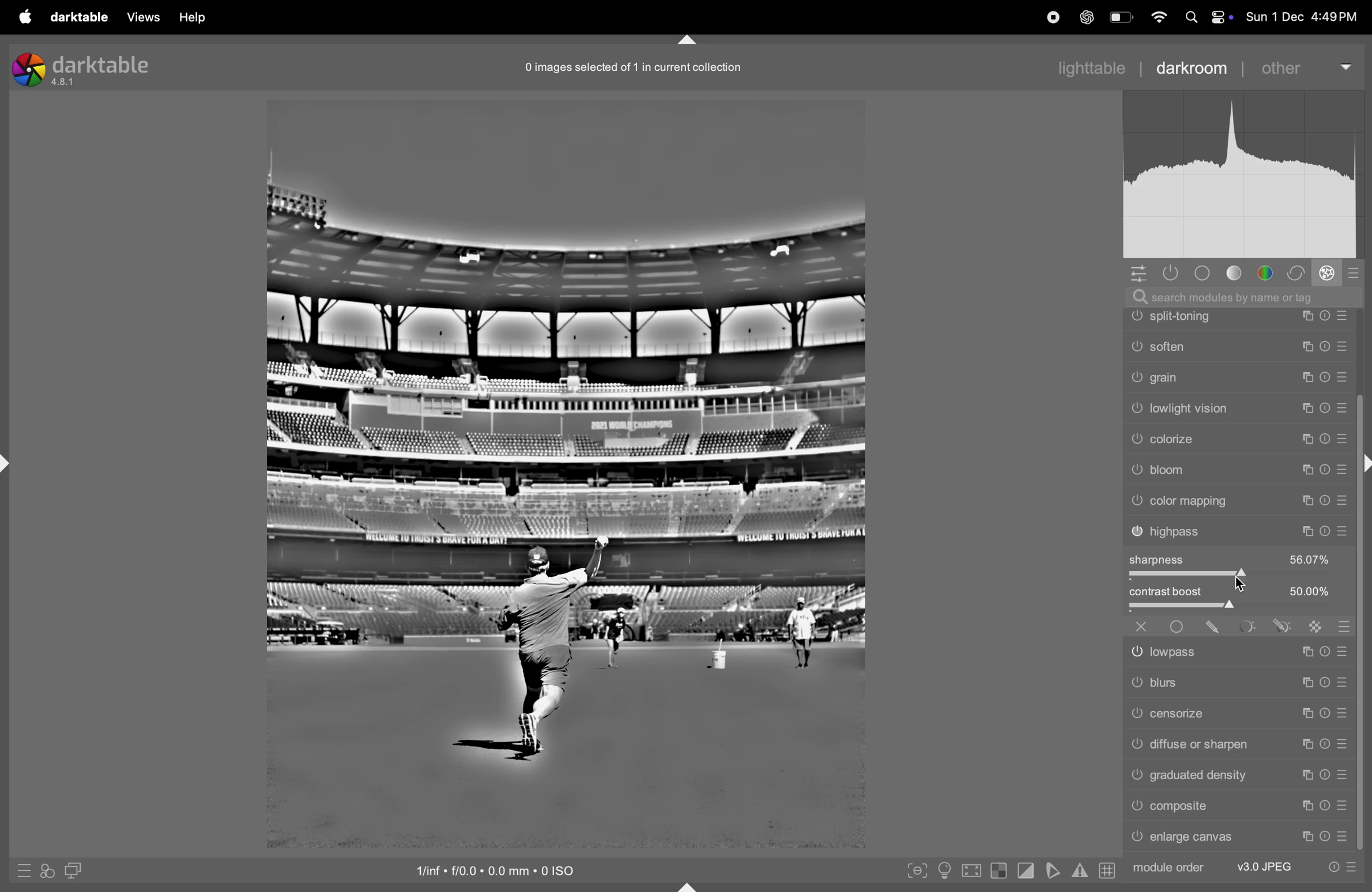  What do you see at coordinates (1007, 18) in the screenshot?
I see `record` at bounding box center [1007, 18].